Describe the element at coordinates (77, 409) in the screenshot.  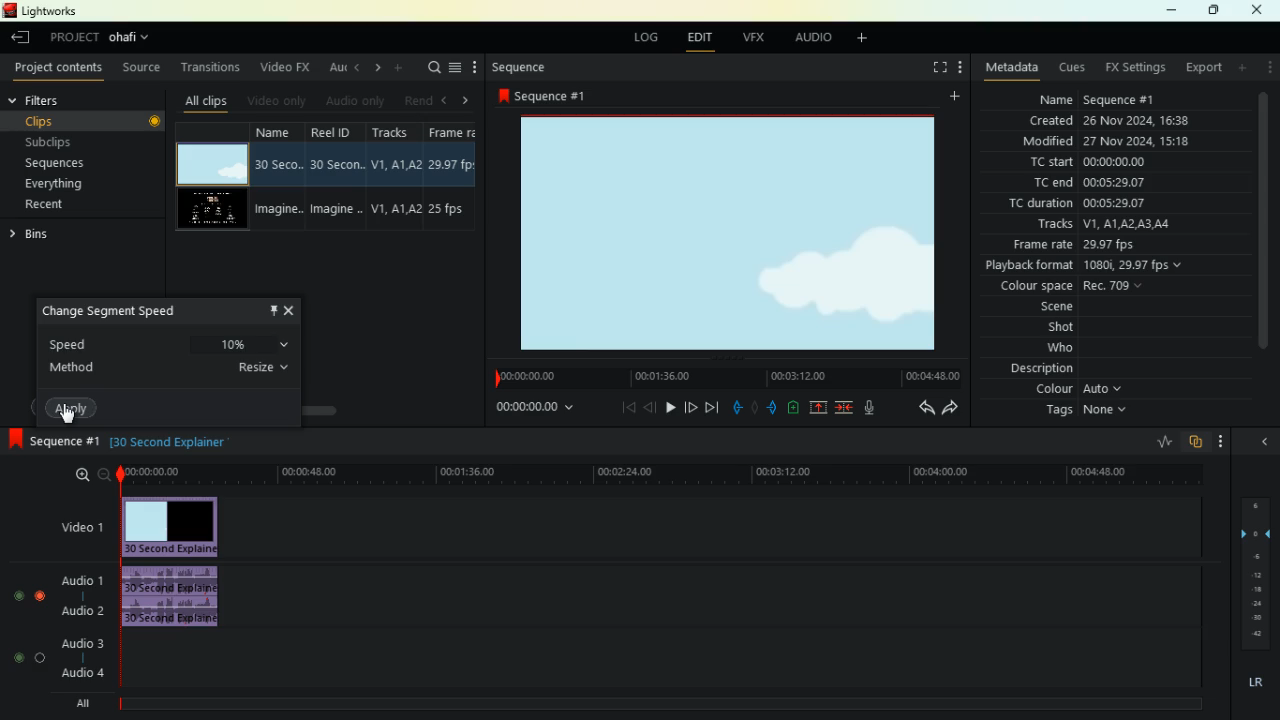
I see `apply` at that location.